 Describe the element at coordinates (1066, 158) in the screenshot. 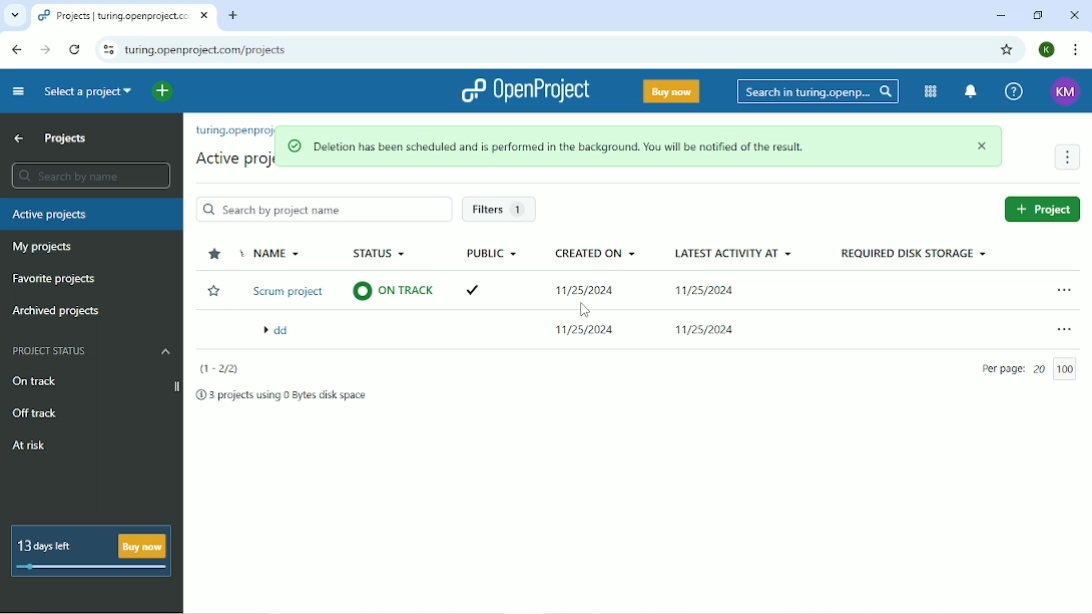

I see `More` at that location.